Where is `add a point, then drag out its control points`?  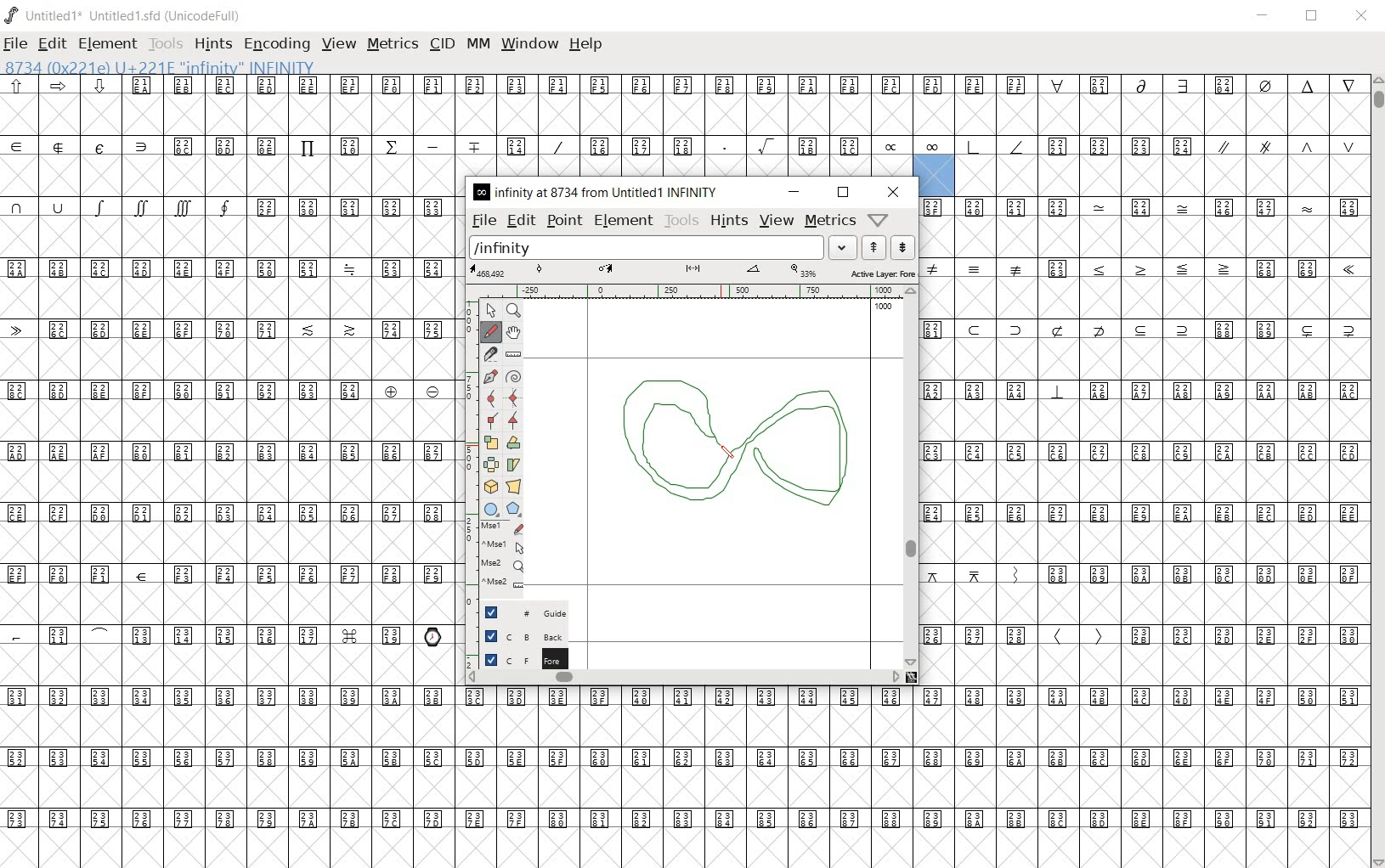
add a point, then drag out its control points is located at coordinates (490, 376).